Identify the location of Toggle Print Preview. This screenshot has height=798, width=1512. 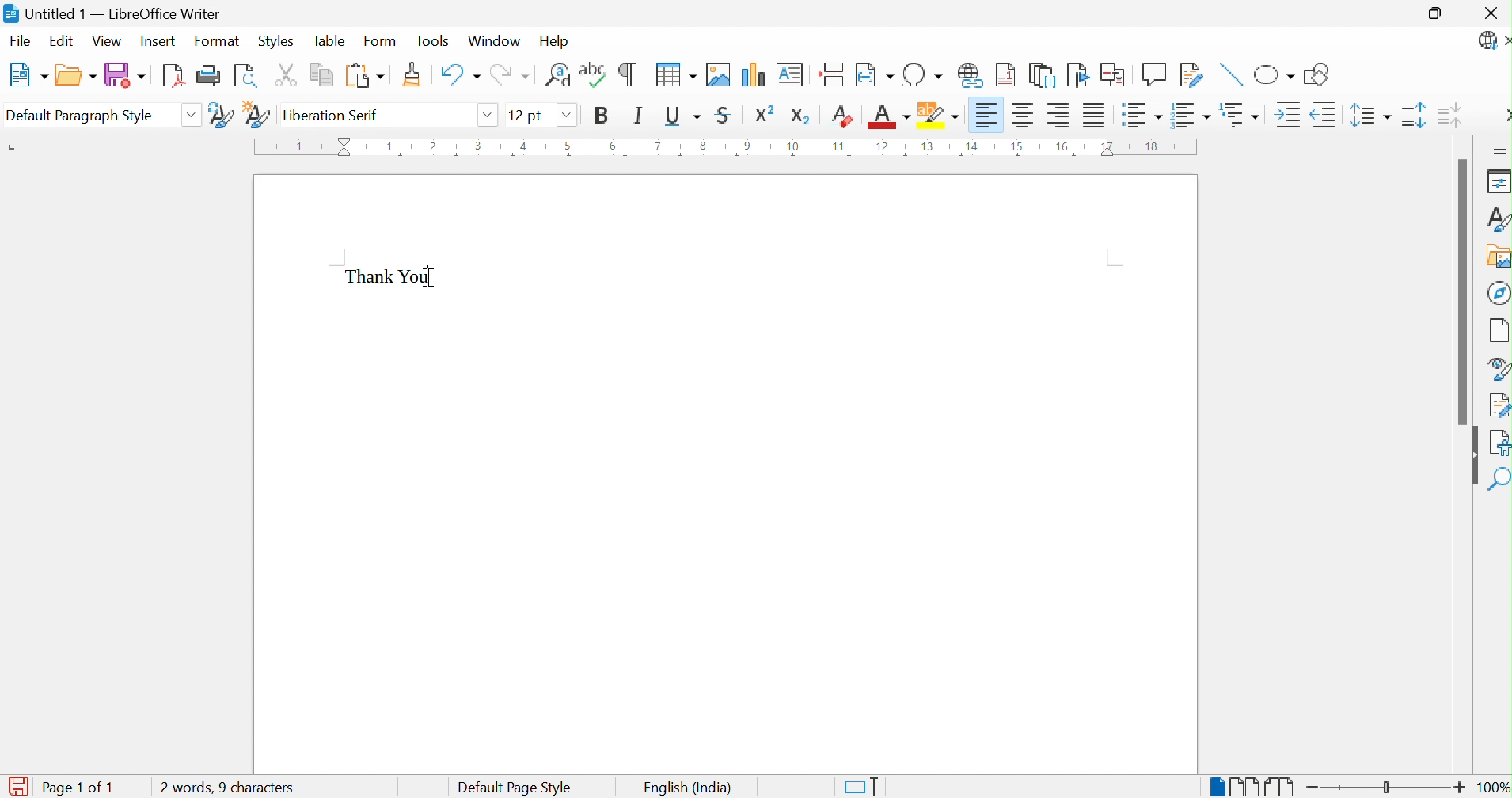
(245, 76).